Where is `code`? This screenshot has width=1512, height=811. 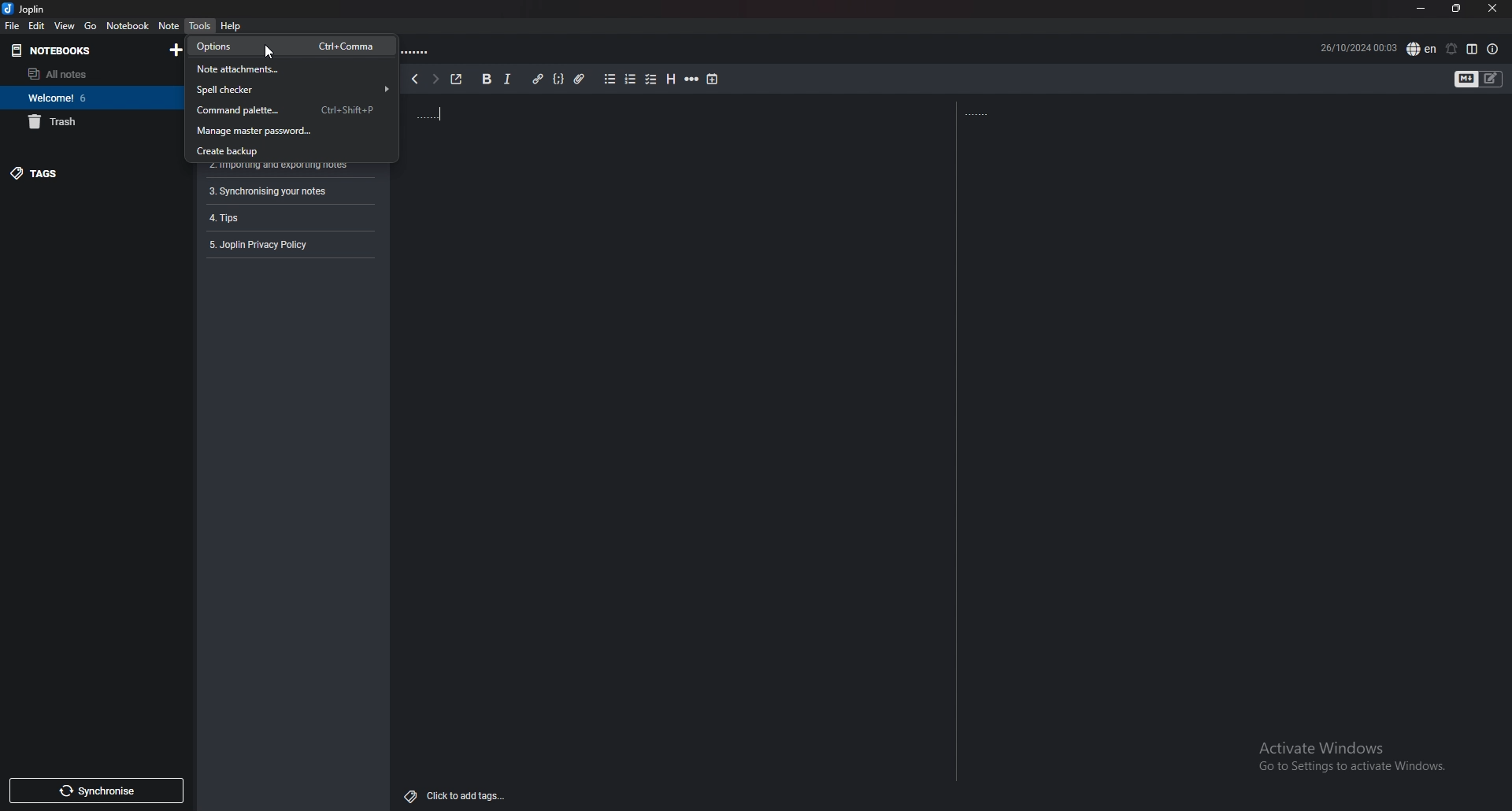
code is located at coordinates (560, 79).